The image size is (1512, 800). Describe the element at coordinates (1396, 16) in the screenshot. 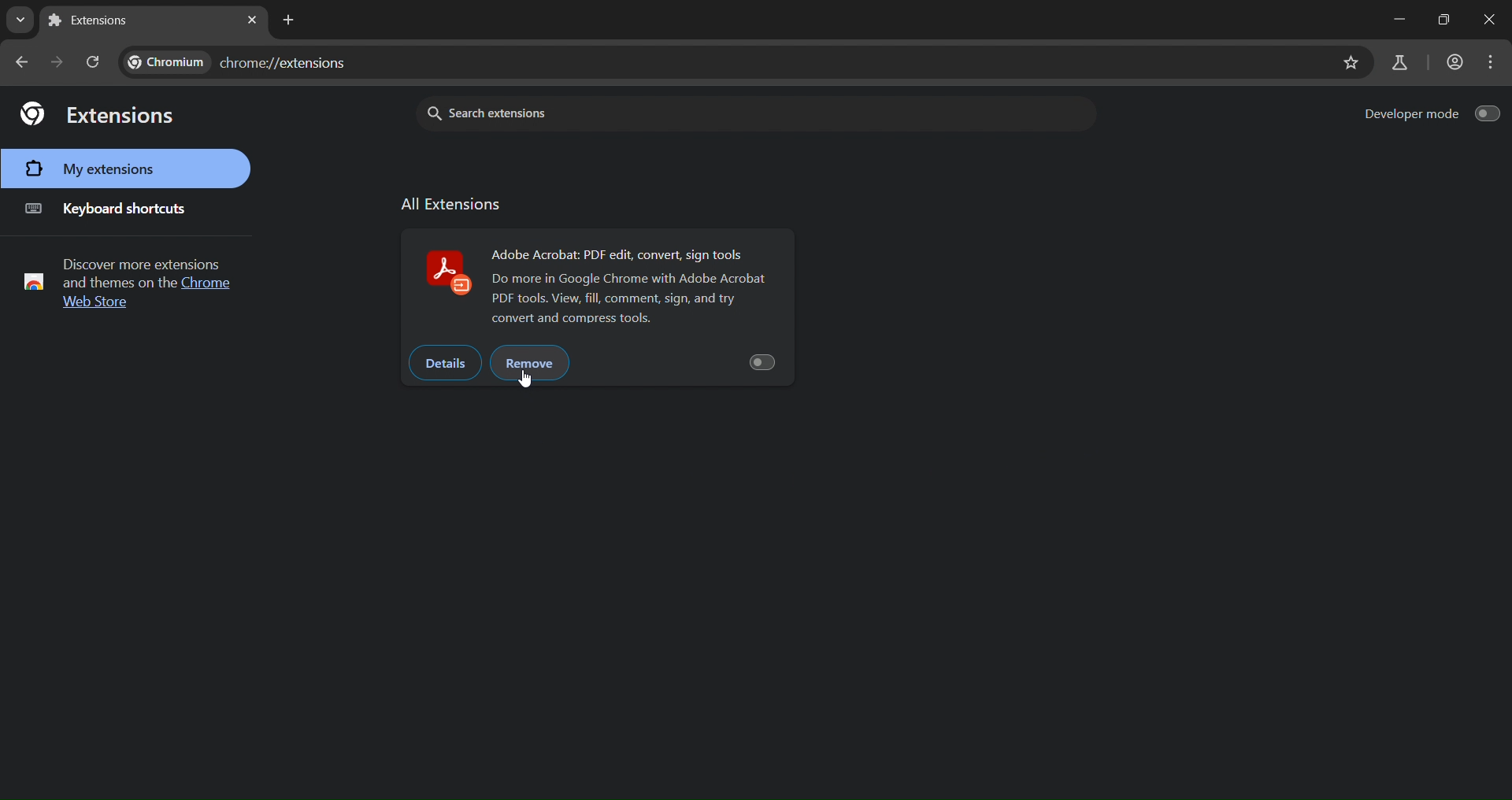

I see `minimize` at that location.